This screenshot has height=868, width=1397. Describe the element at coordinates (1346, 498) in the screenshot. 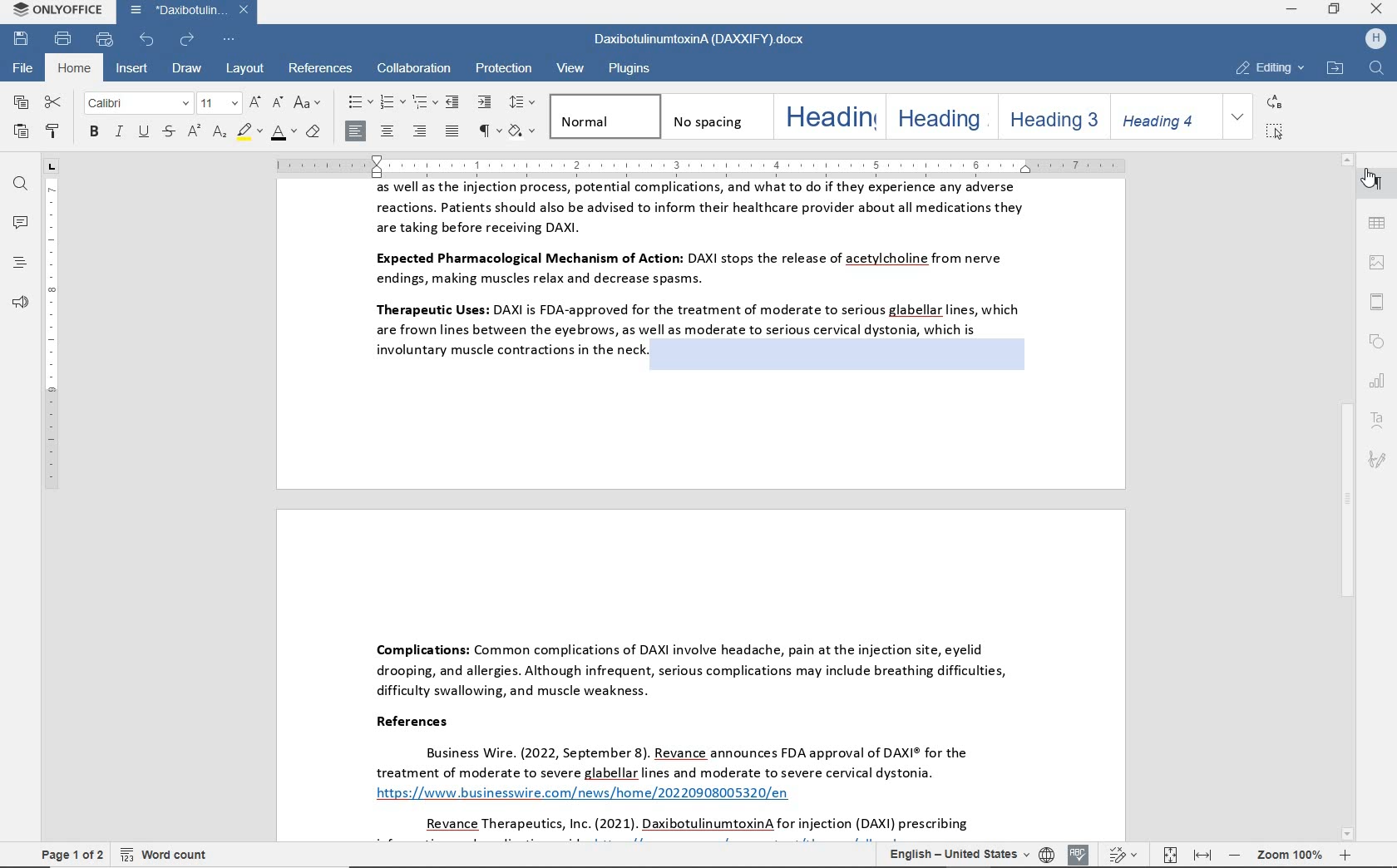

I see `scrollbar` at that location.